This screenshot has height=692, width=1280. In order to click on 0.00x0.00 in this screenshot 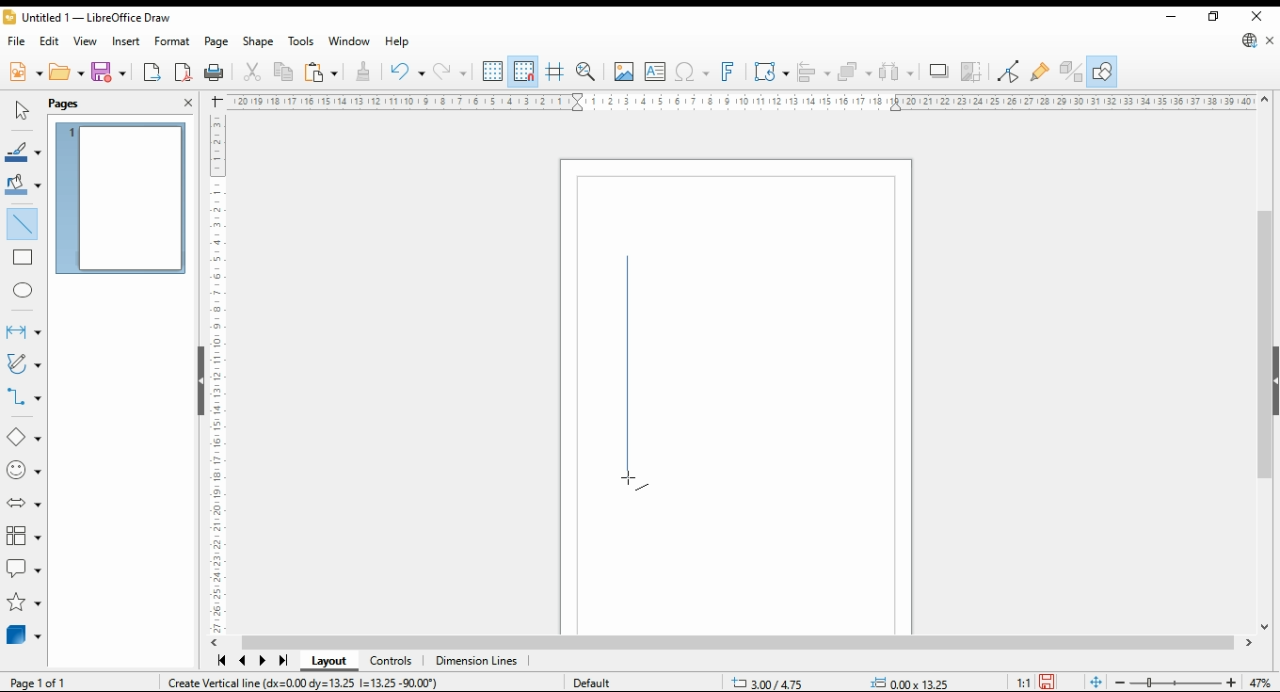, I will do `click(910, 683)`.